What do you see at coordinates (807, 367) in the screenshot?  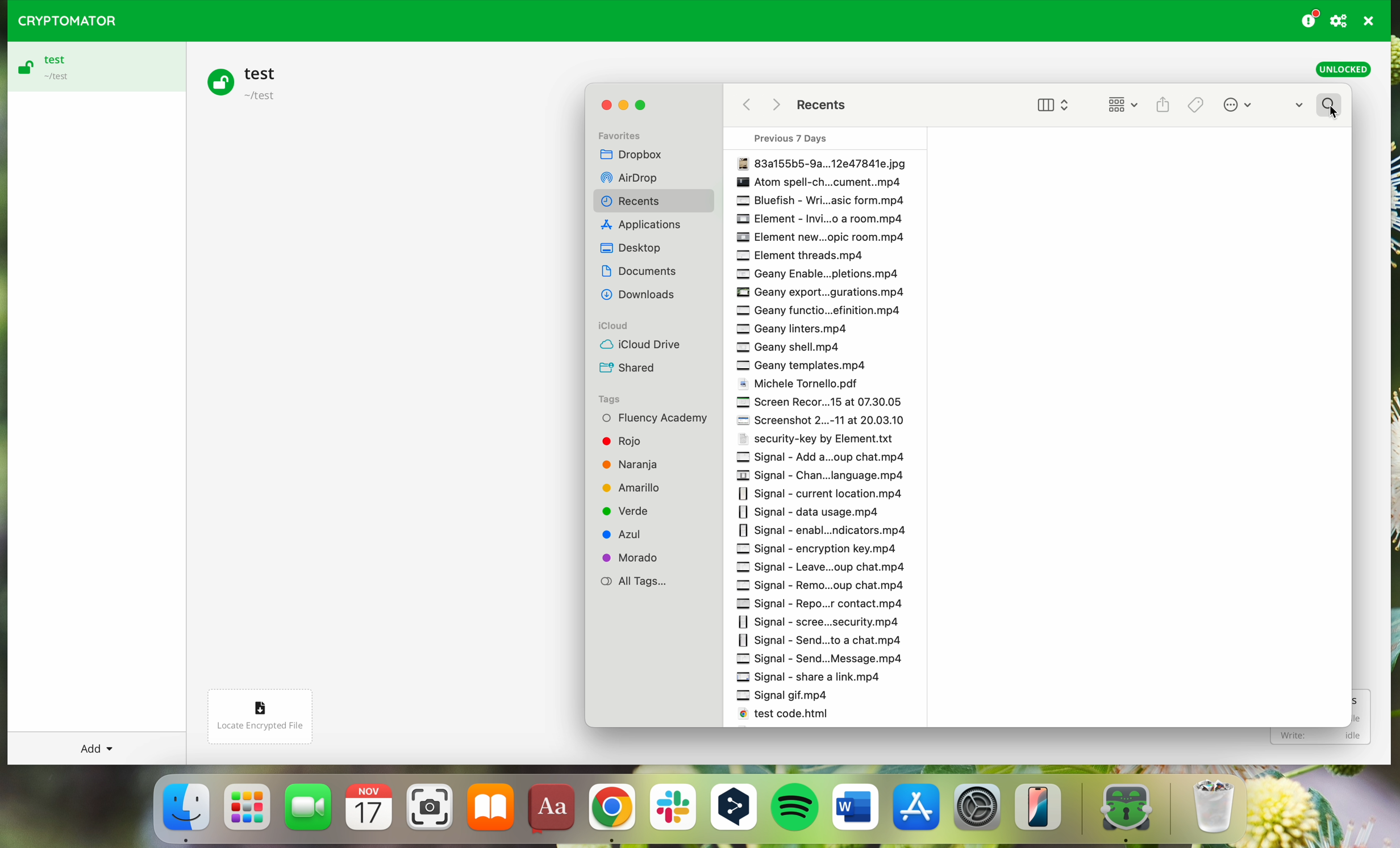 I see `Geany template` at bounding box center [807, 367].